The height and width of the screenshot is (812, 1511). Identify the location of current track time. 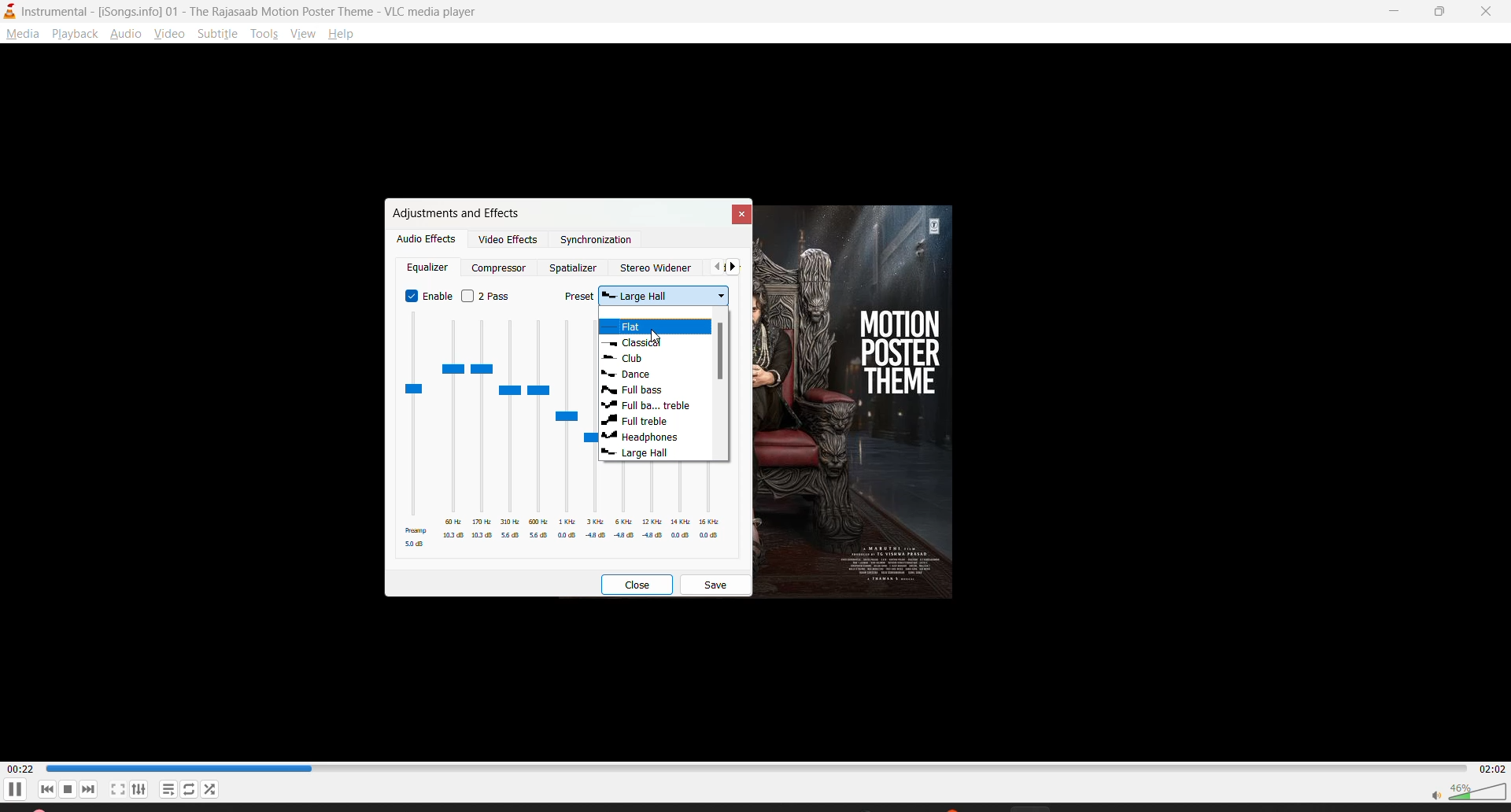
(20, 768).